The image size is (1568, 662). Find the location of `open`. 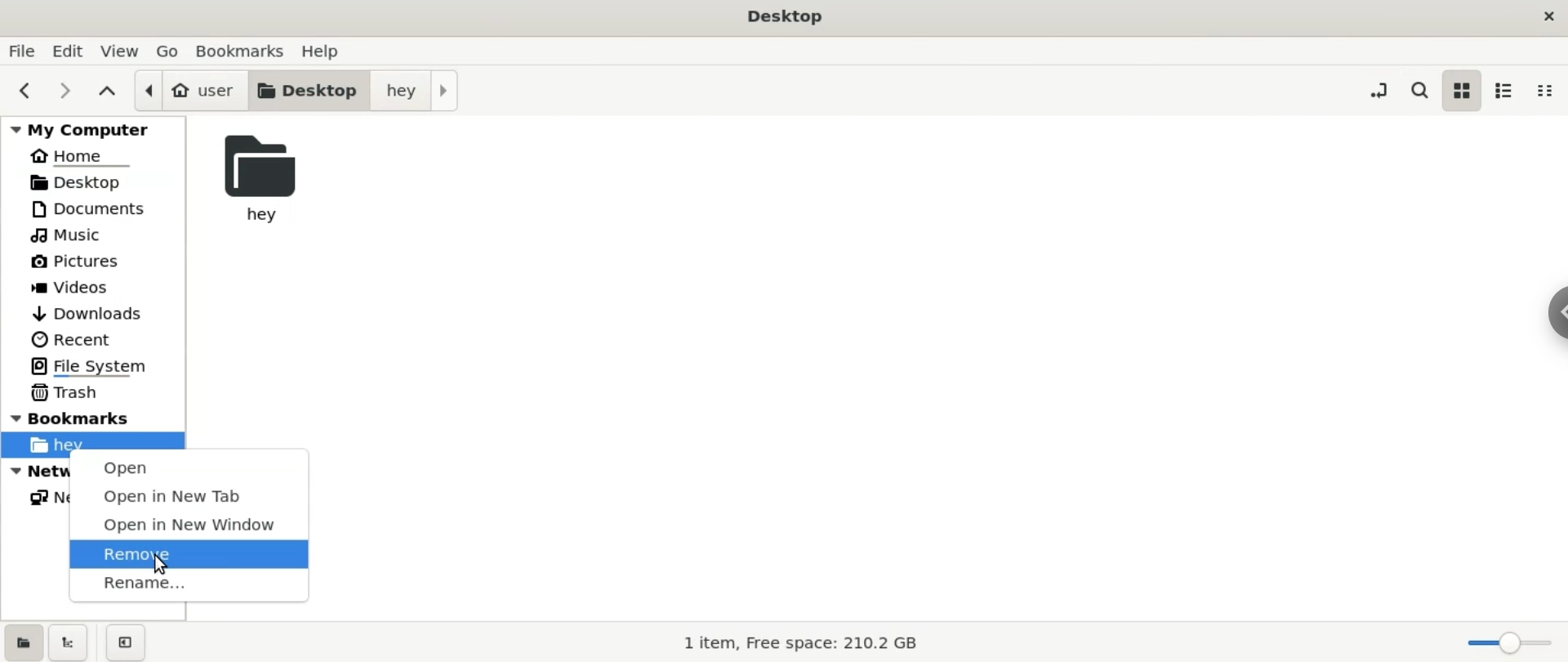

open is located at coordinates (194, 466).